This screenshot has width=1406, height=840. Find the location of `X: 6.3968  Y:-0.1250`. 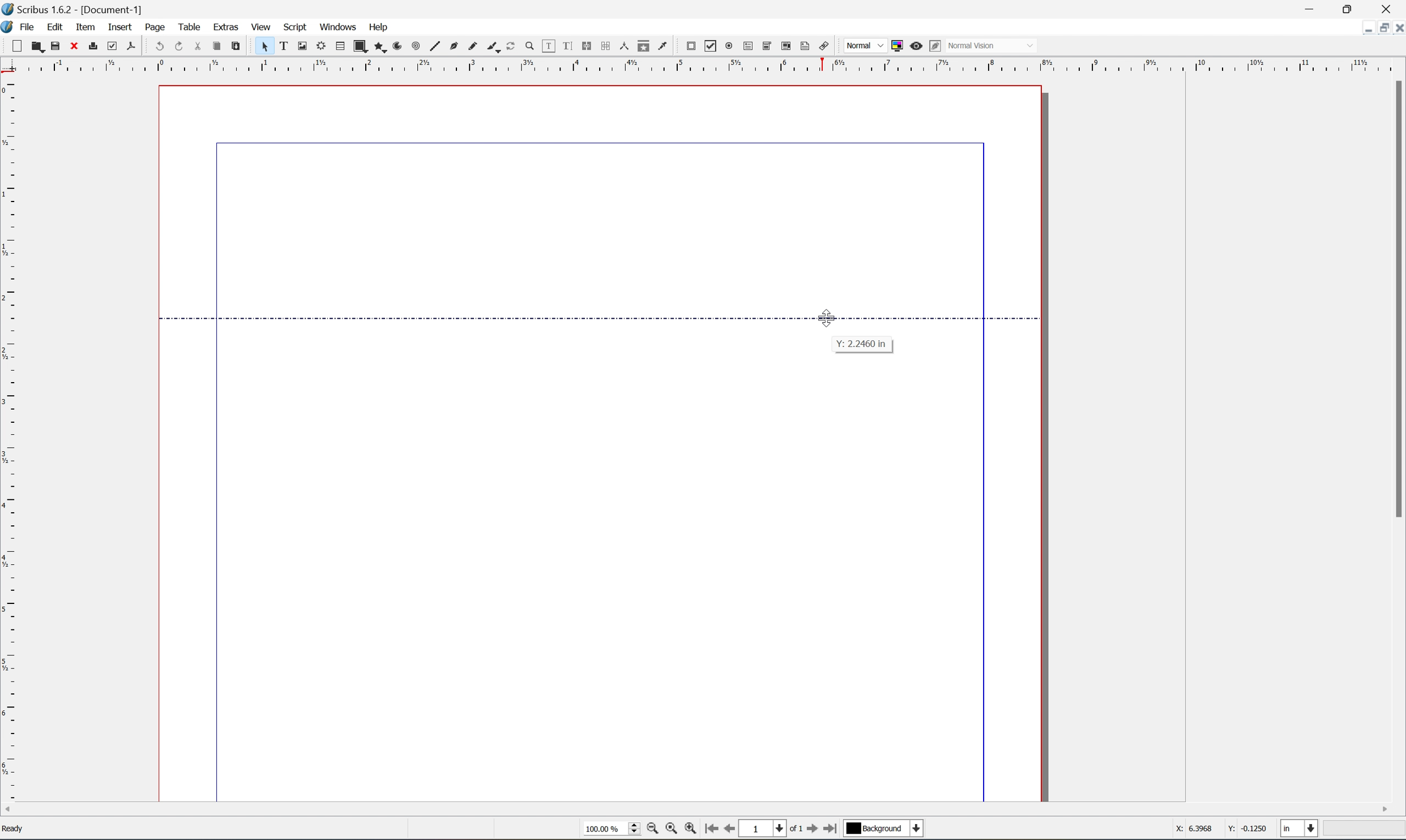

X: 6.3968  Y:-0.1250 is located at coordinates (1217, 828).